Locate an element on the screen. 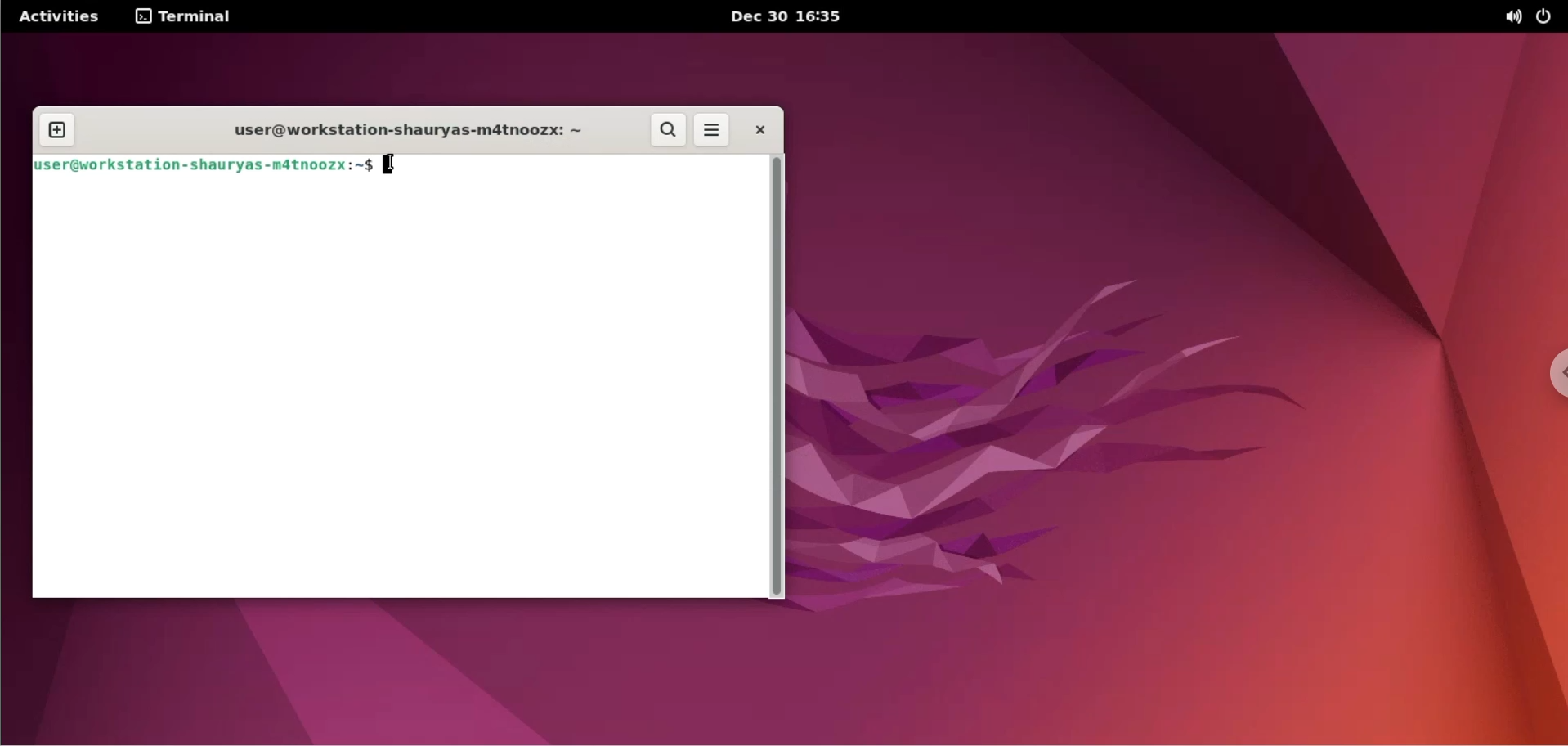 This screenshot has height=746, width=1568. terminal is located at coordinates (184, 16).